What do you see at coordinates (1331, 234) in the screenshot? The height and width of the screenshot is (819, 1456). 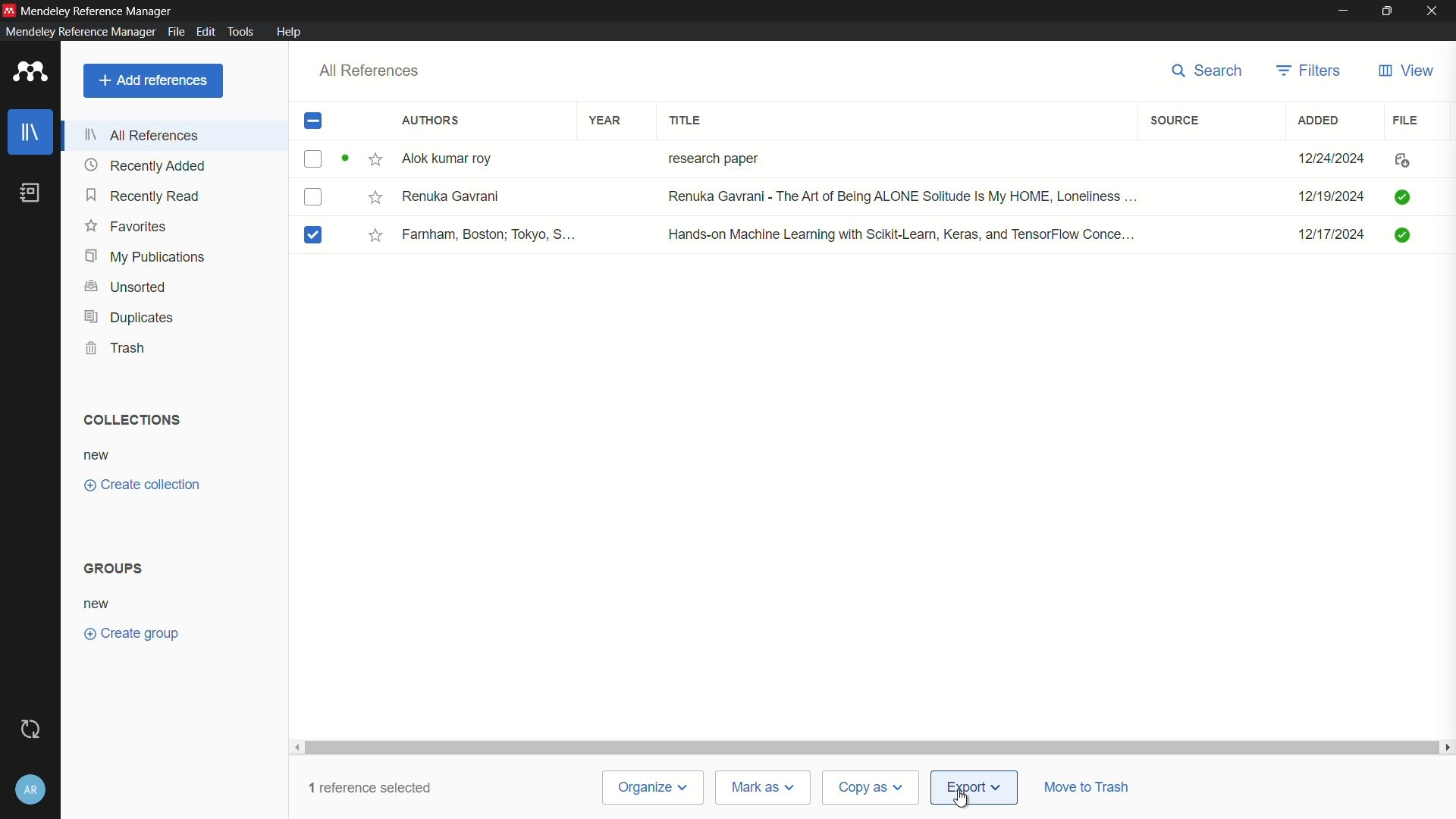 I see `12/17/2024` at bounding box center [1331, 234].